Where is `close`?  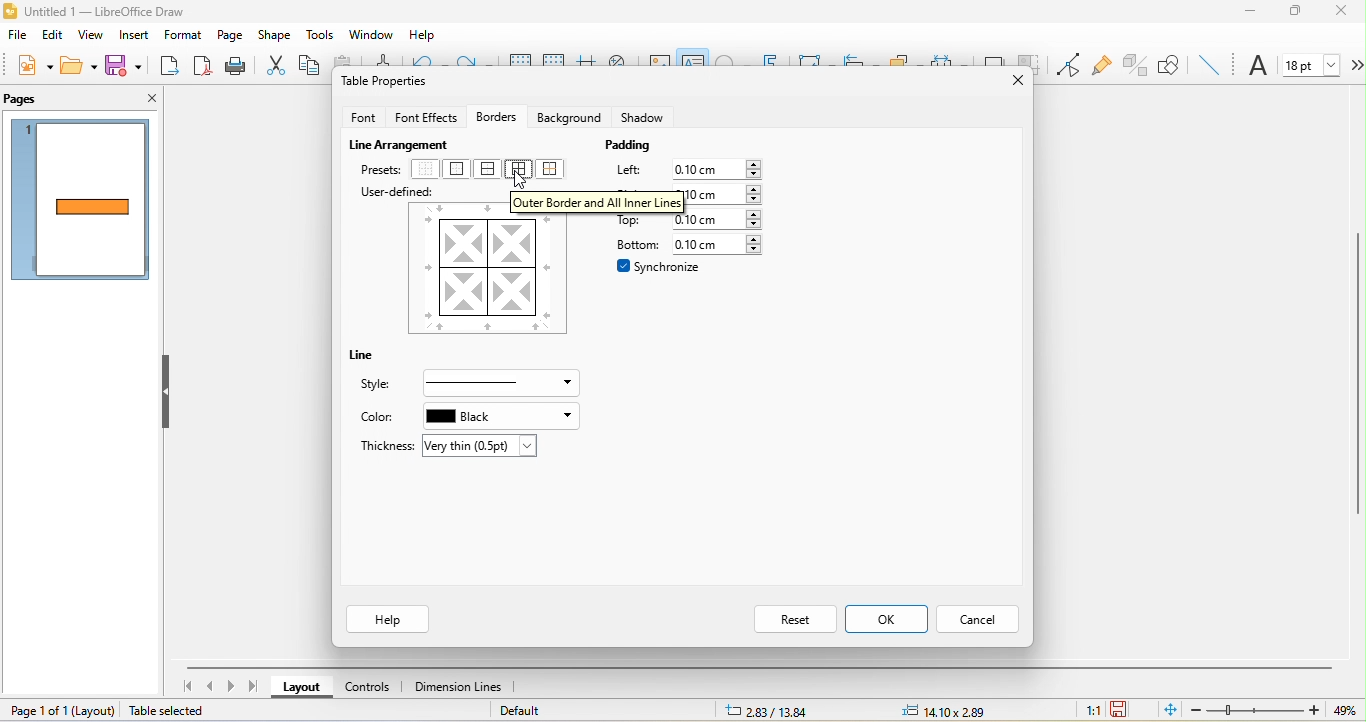
close is located at coordinates (150, 97).